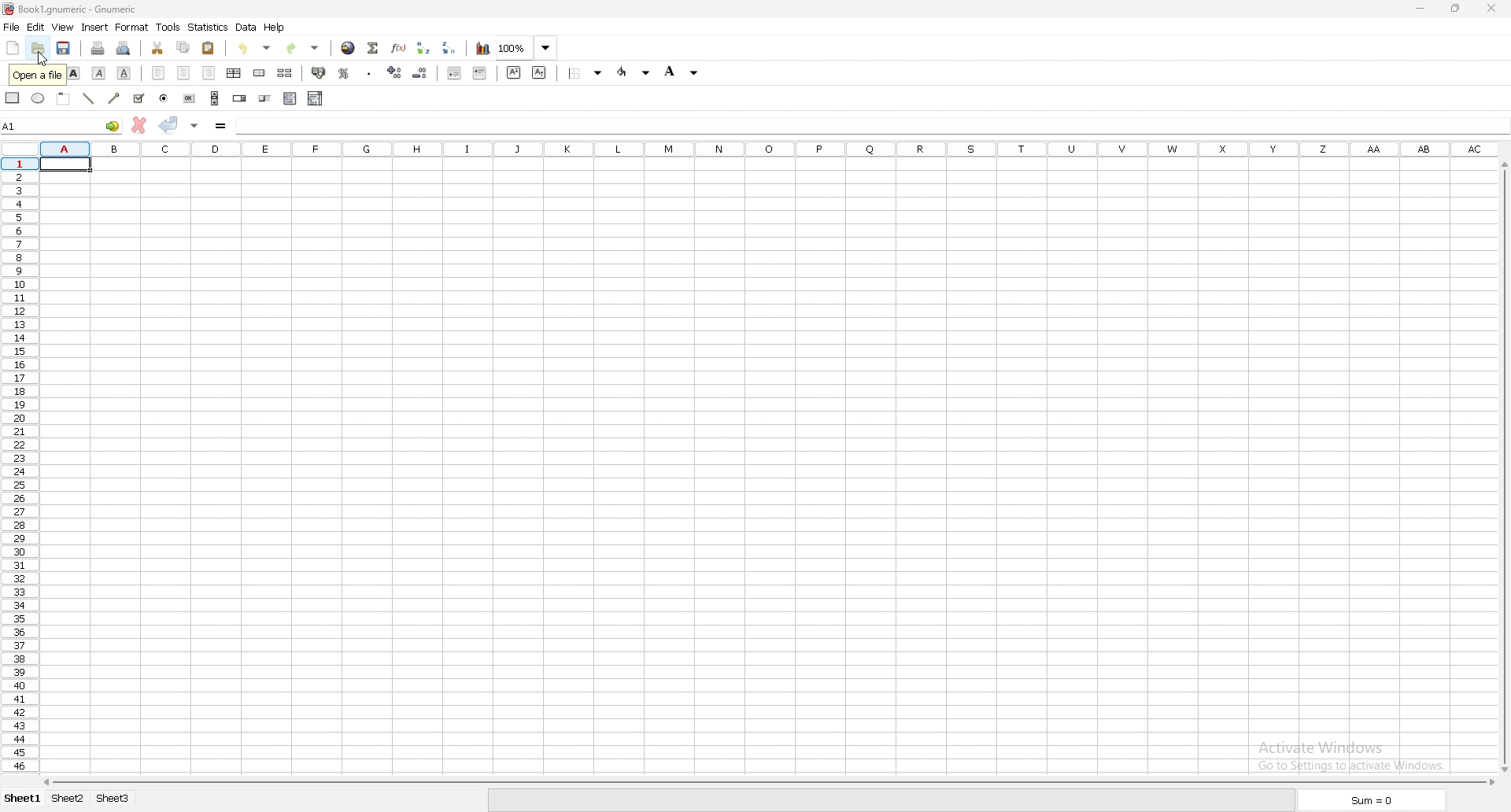 Image resolution: width=1511 pixels, height=812 pixels. Describe the element at coordinates (424, 48) in the screenshot. I see `sort ascending` at that location.